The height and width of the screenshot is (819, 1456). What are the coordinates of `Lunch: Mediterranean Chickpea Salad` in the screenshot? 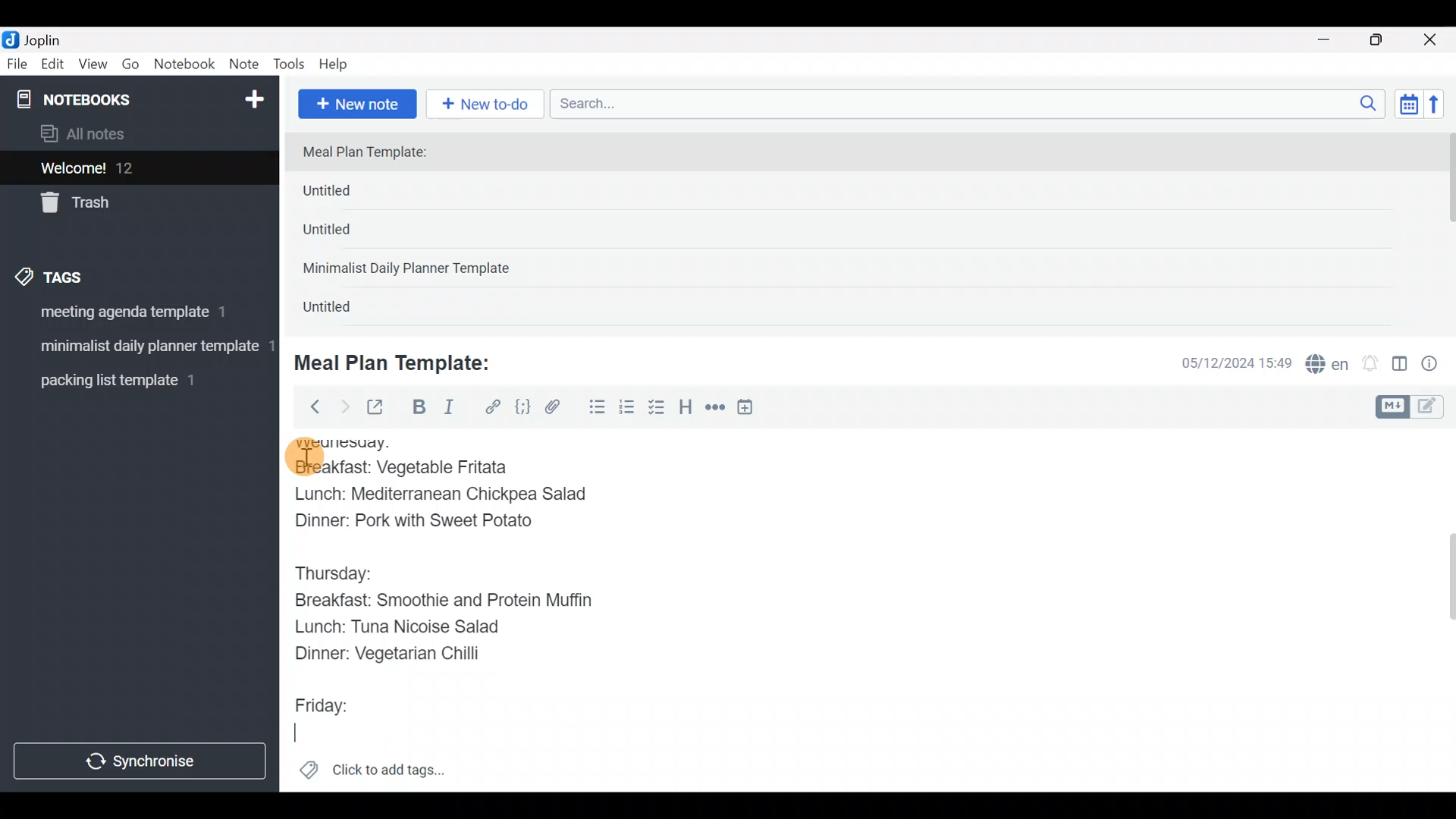 It's located at (455, 494).